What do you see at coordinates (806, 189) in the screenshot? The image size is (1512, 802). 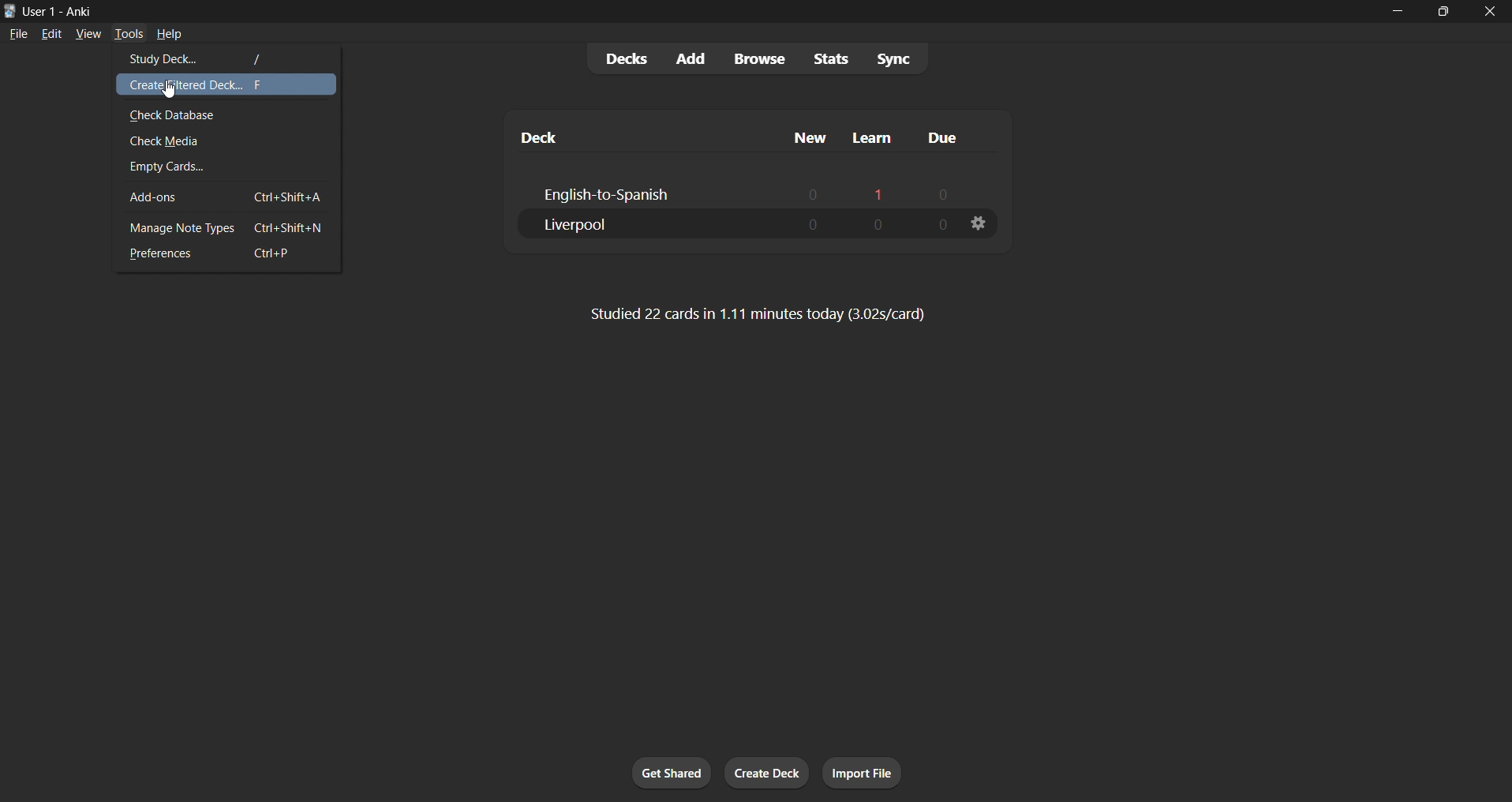 I see `0` at bounding box center [806, 189].